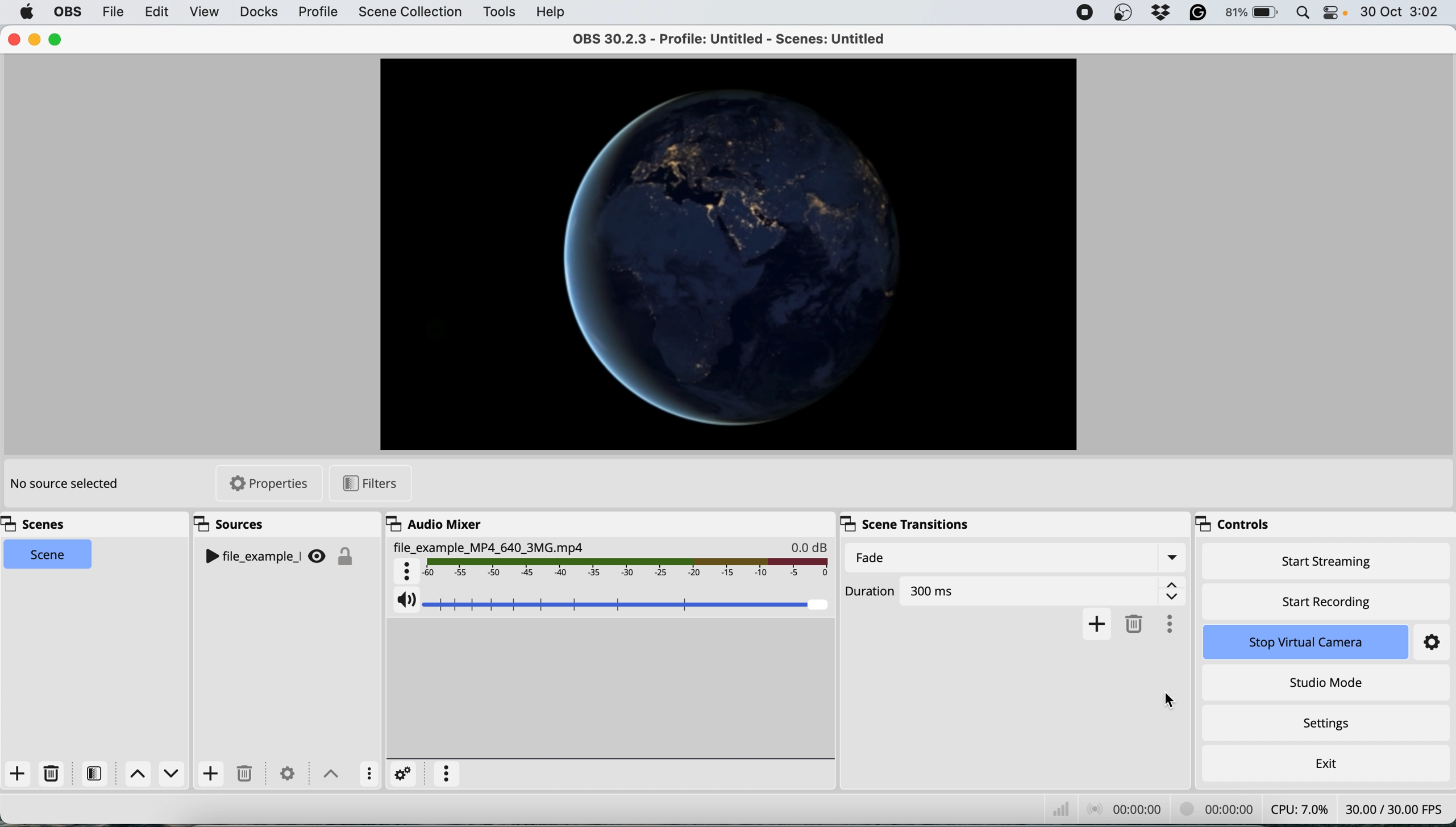 The image size is (1456, 827). I want to click on delete source, so click(249, 774).